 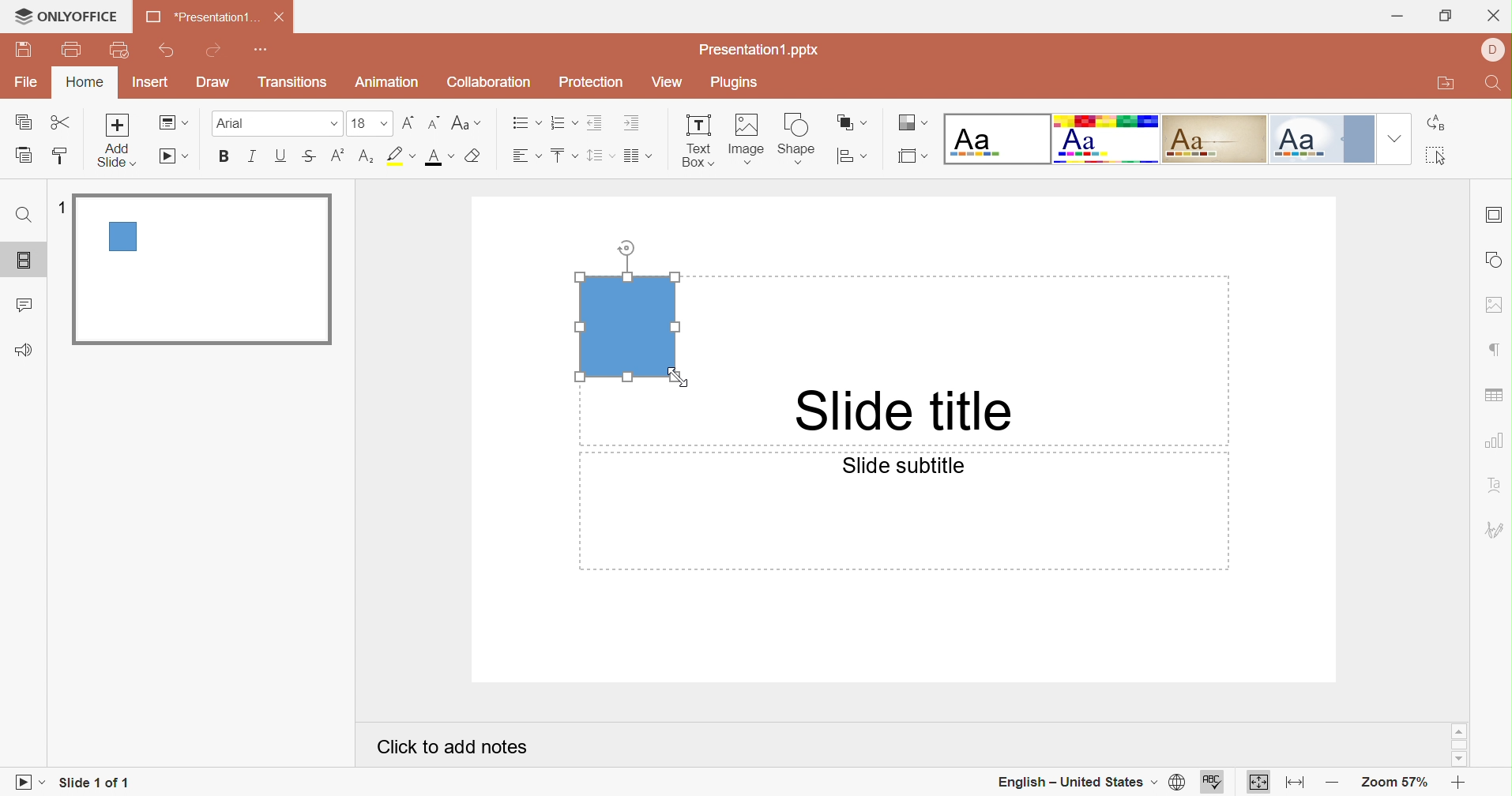 I want to click on Font, so click(x=276, y=123).